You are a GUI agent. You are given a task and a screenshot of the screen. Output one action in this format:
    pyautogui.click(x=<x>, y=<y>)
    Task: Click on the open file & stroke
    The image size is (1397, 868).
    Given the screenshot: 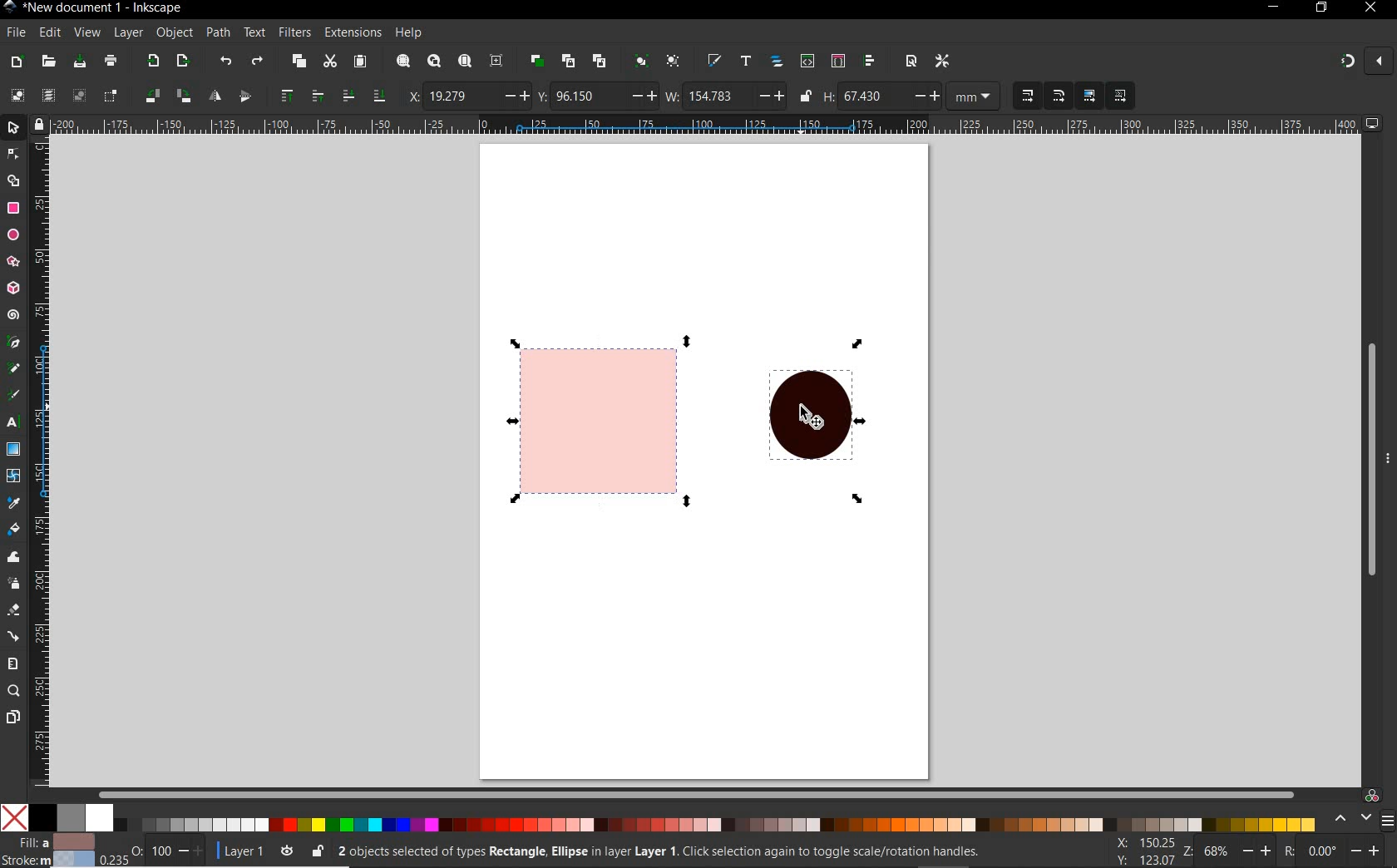 What is the action you would take?
    pyautogui.click(x=714, y=60)
    